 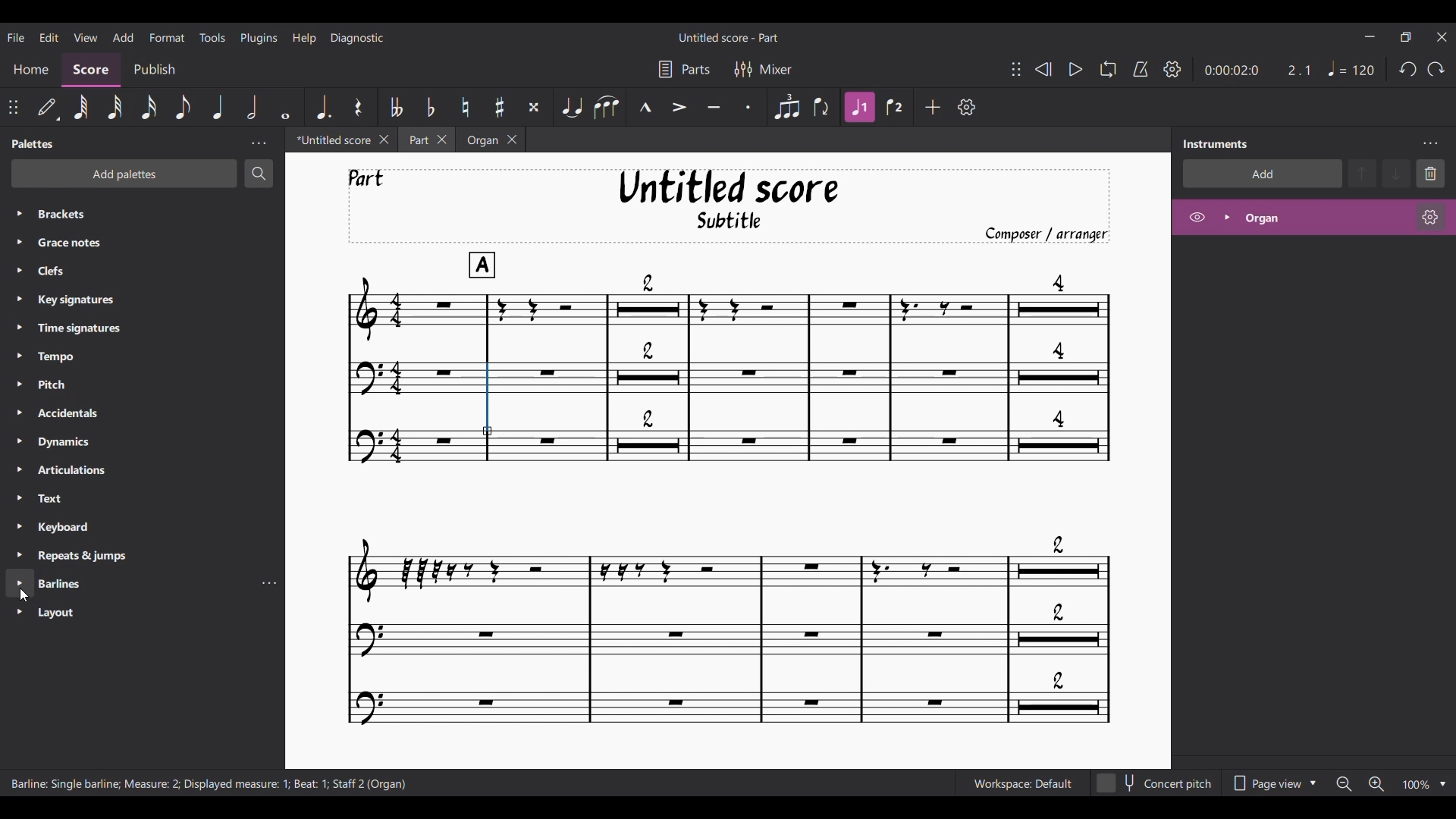 What do you see at coordinates (123, 36) in the screenshot?
I see `Add menu` at bounding box center [123, 36].